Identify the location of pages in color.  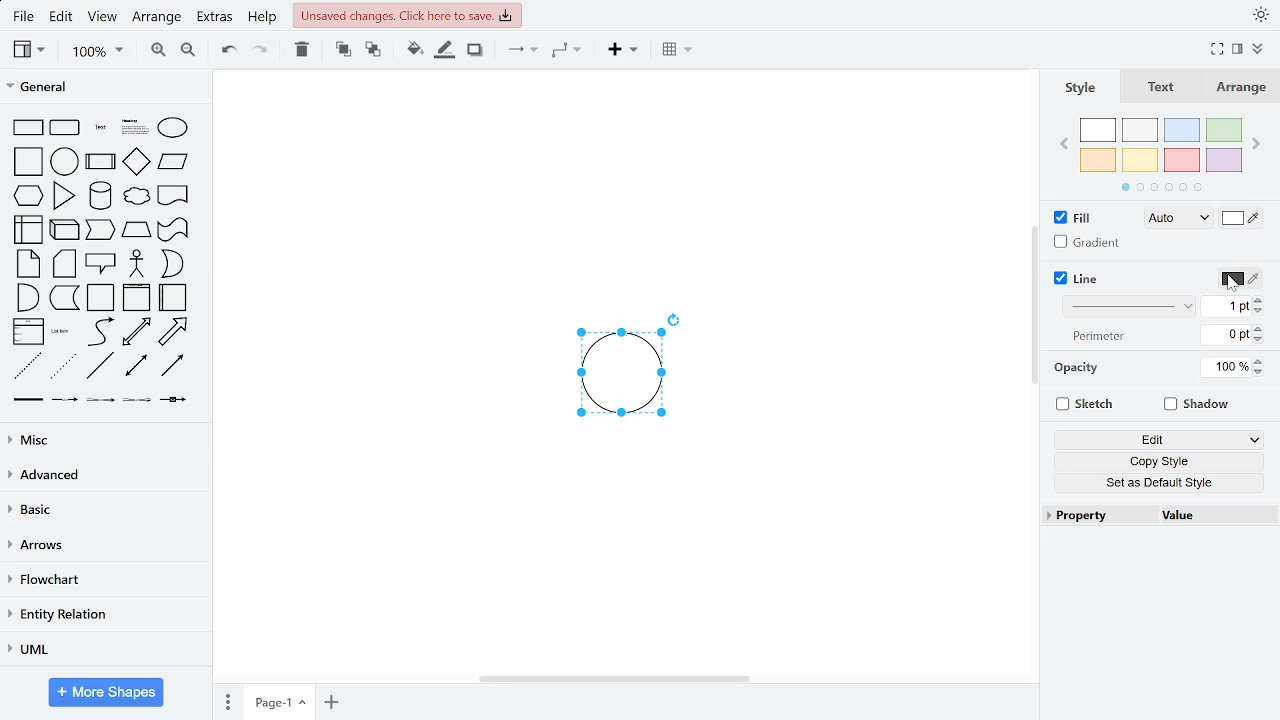
(1162, 188).